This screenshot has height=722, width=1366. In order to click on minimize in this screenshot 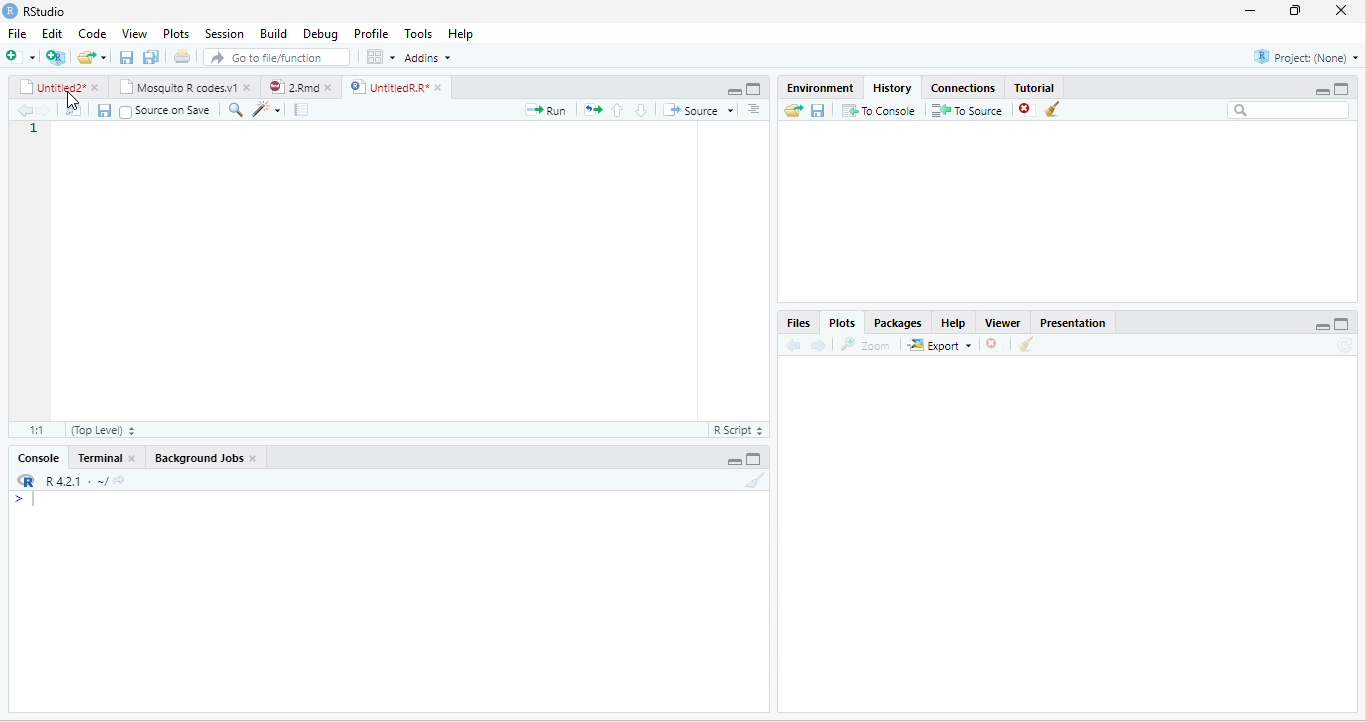, I will do `click(734, 460)`.